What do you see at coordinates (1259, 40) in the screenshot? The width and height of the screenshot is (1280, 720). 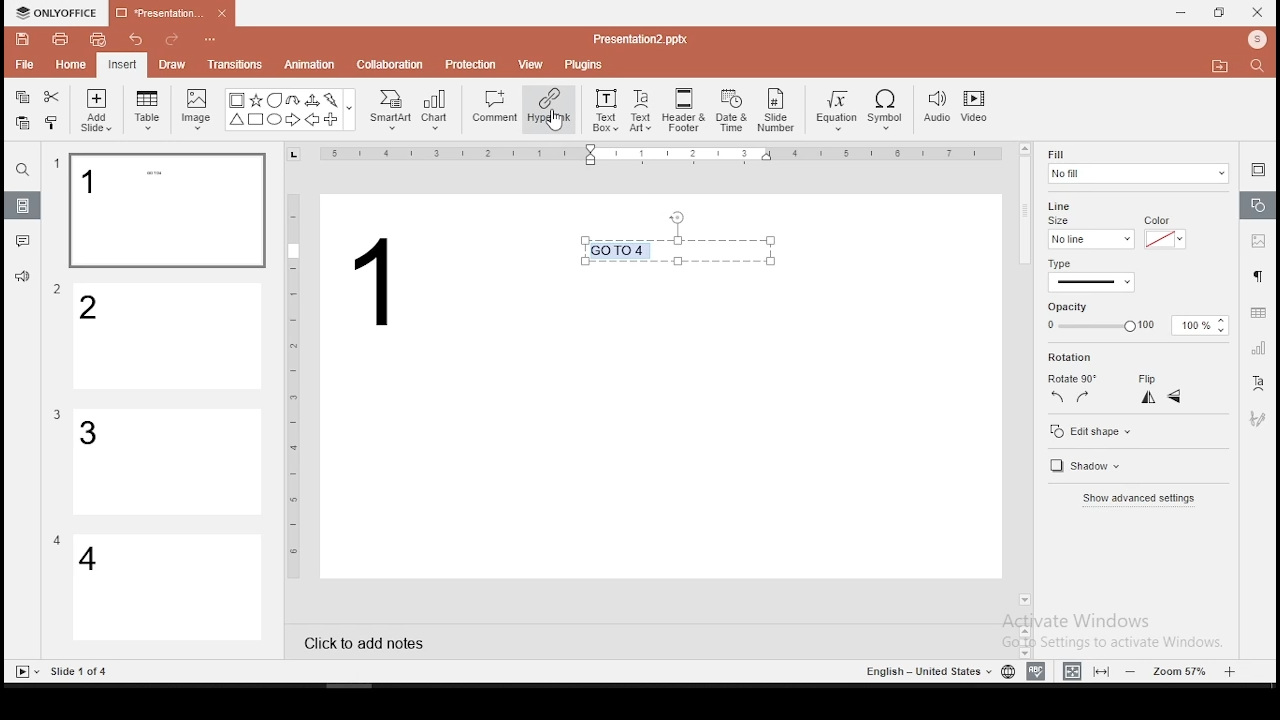 I see `Profile` at bounding box center [1259, 40].